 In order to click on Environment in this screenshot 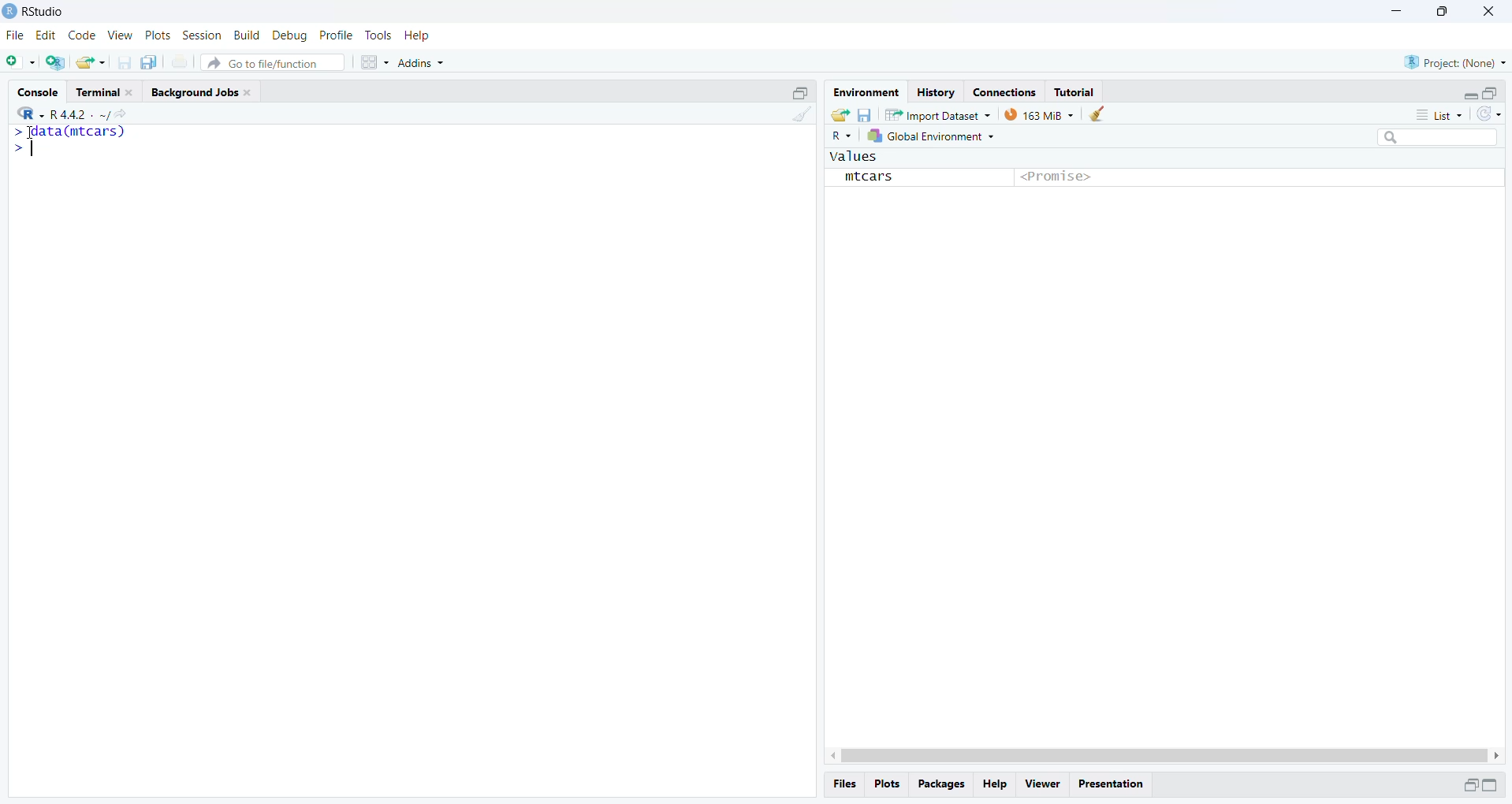, I will do `click(867, 93)`.